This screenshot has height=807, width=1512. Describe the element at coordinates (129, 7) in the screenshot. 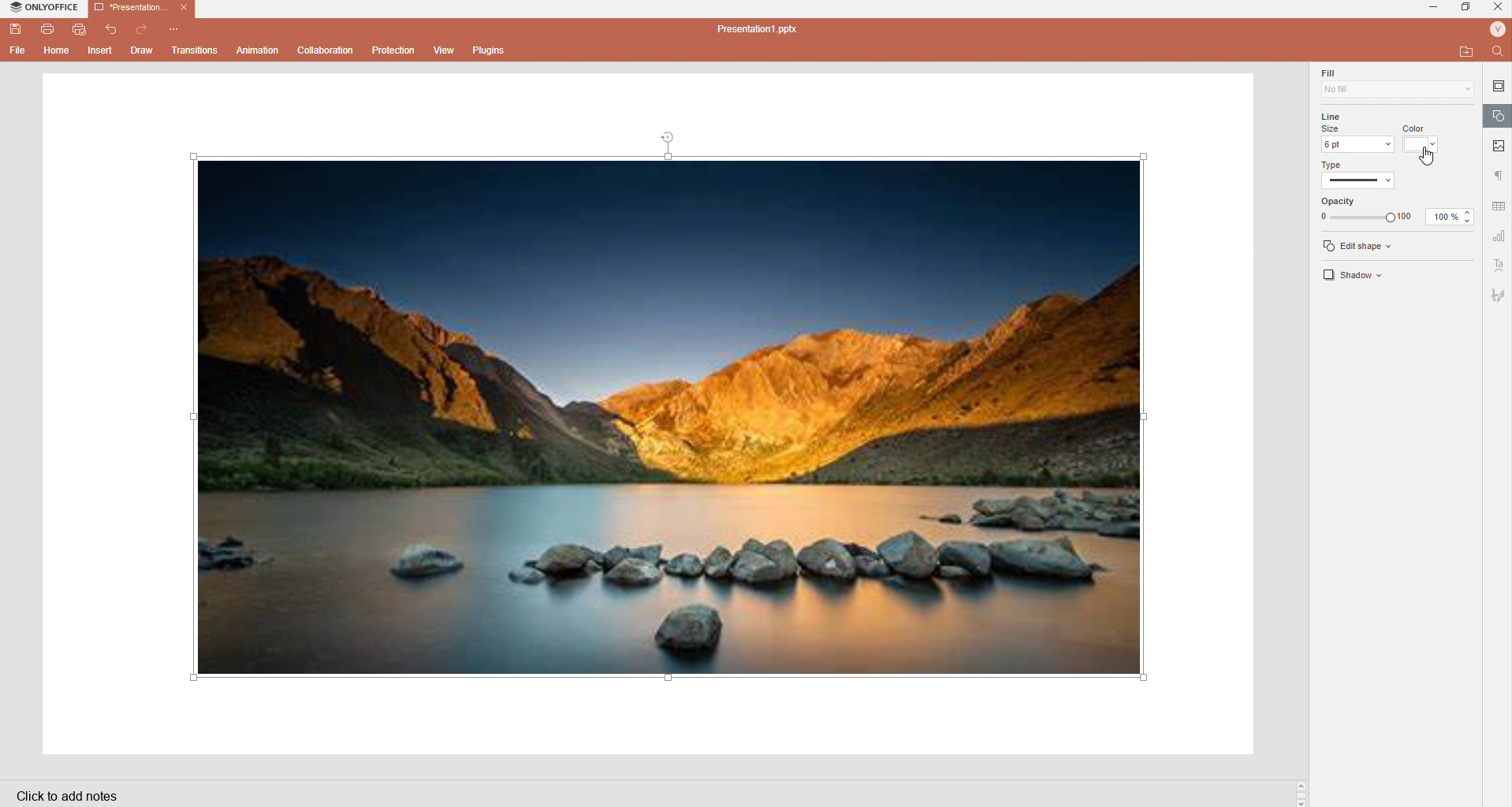

I see `Presentation1.` at that location.